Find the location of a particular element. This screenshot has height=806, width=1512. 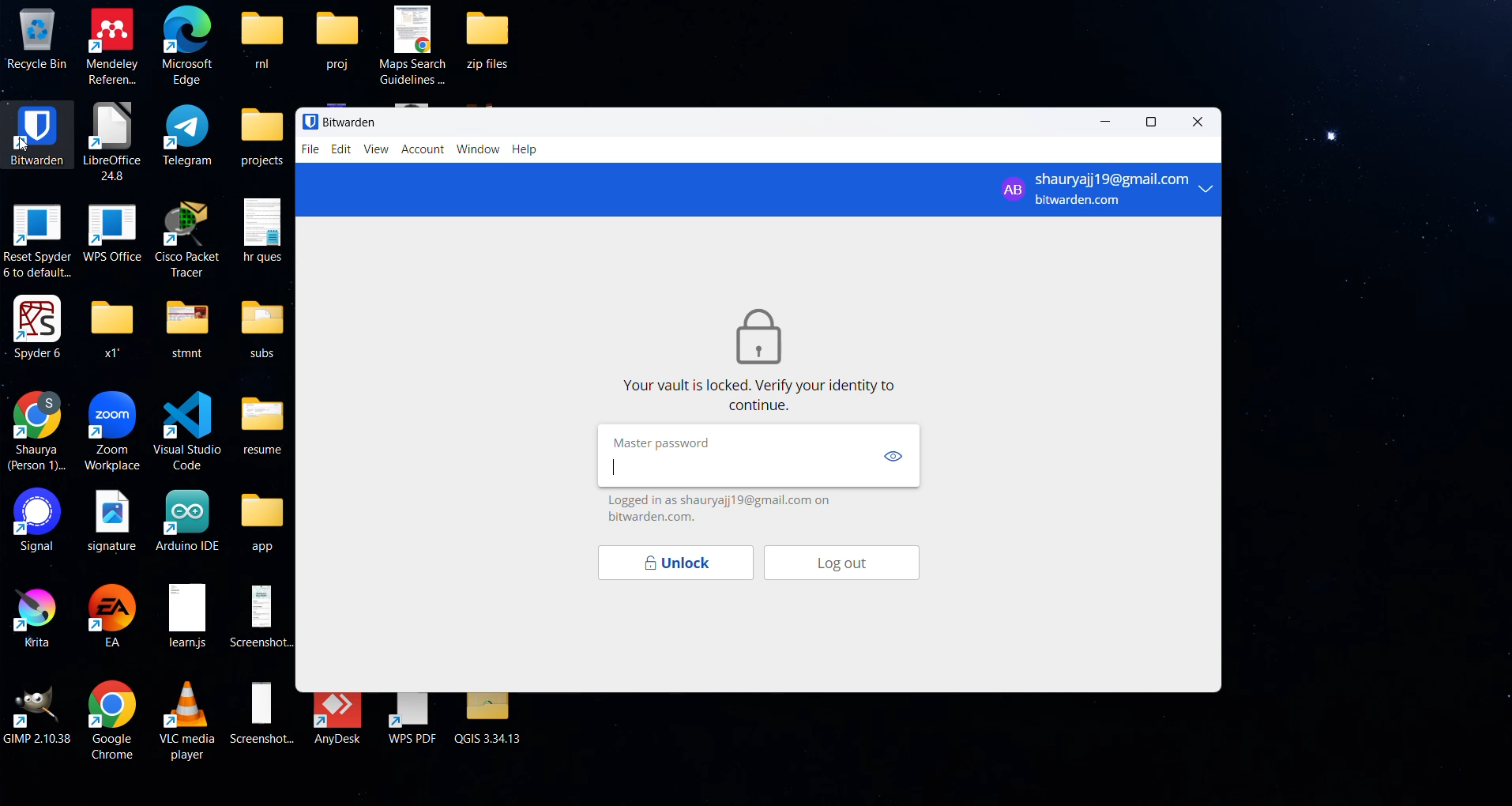

Google Chrome is located at coordinates (111, 720).